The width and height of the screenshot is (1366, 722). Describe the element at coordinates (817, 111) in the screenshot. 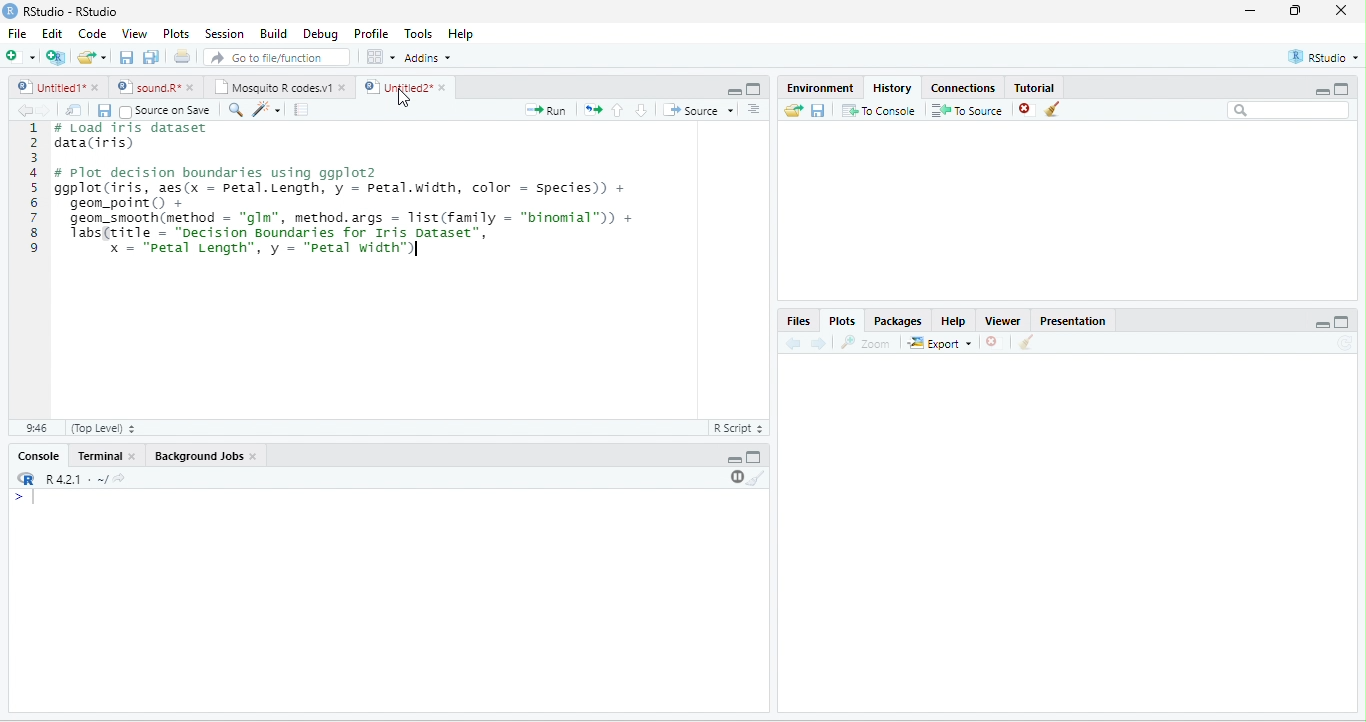

I see `save` at that location.